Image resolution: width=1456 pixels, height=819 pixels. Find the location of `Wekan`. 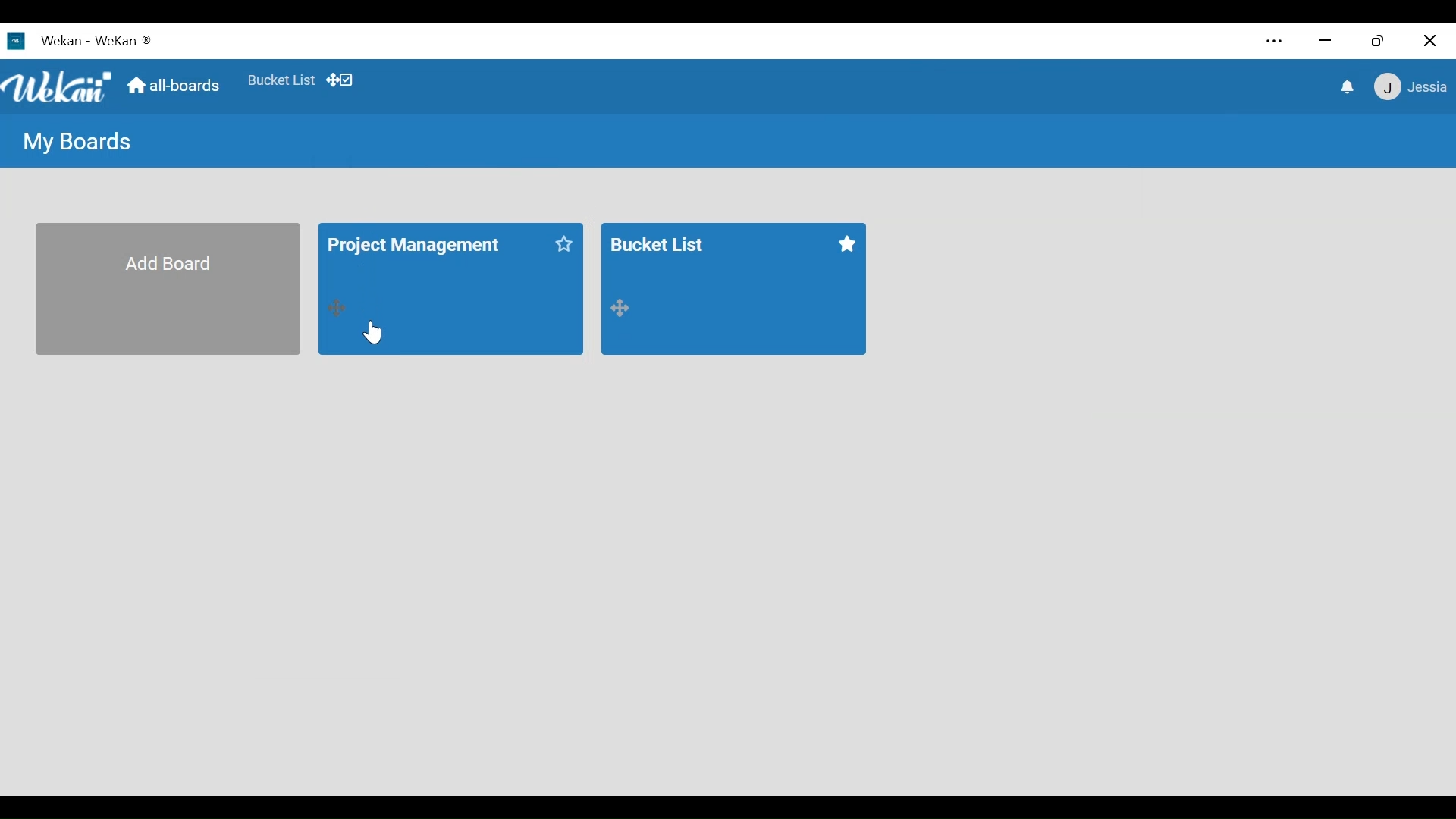

Wekan is located at coordinates (56, 86).